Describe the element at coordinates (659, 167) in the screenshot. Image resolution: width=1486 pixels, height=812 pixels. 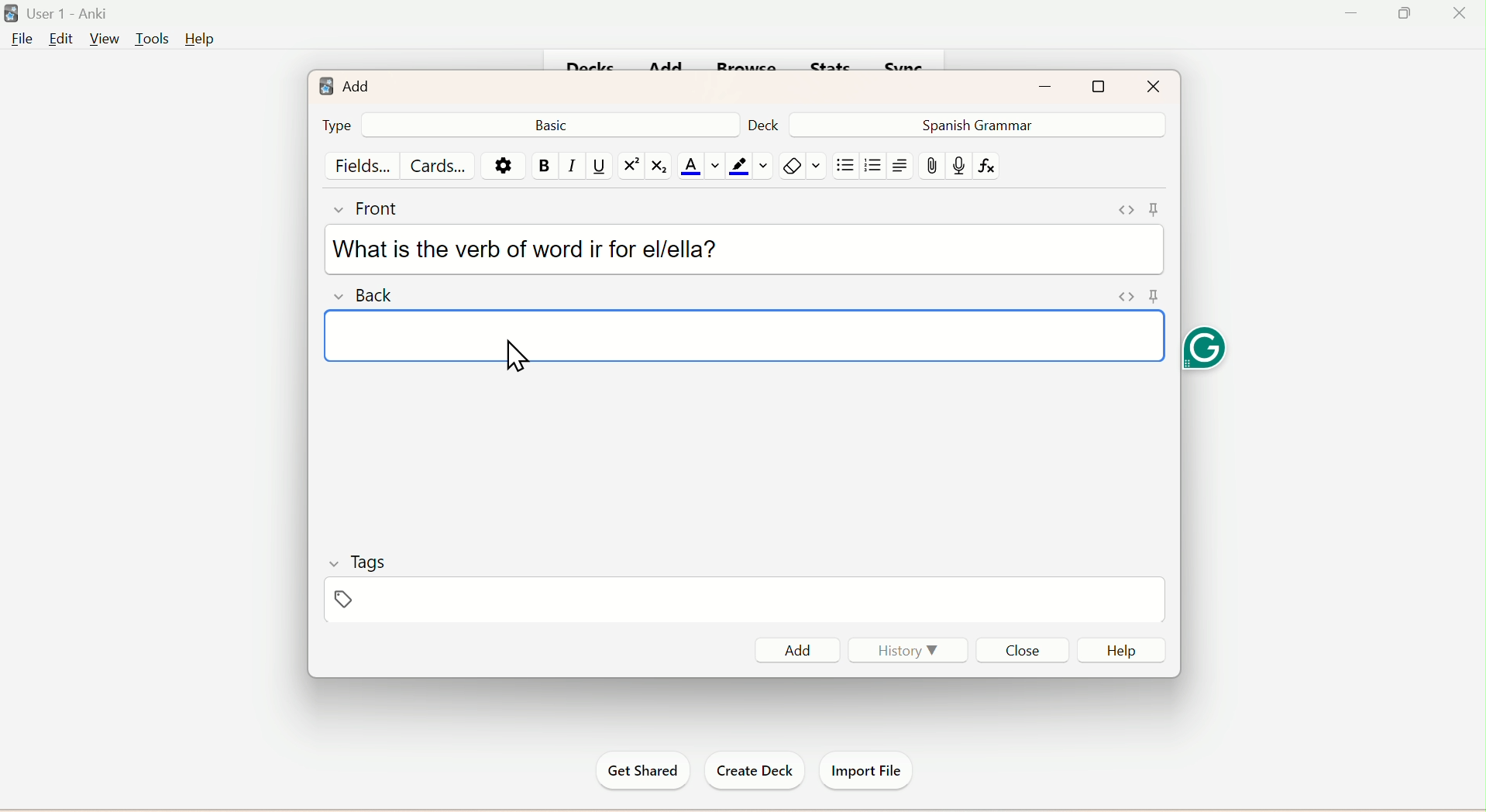
I see `Subscript` at that location.